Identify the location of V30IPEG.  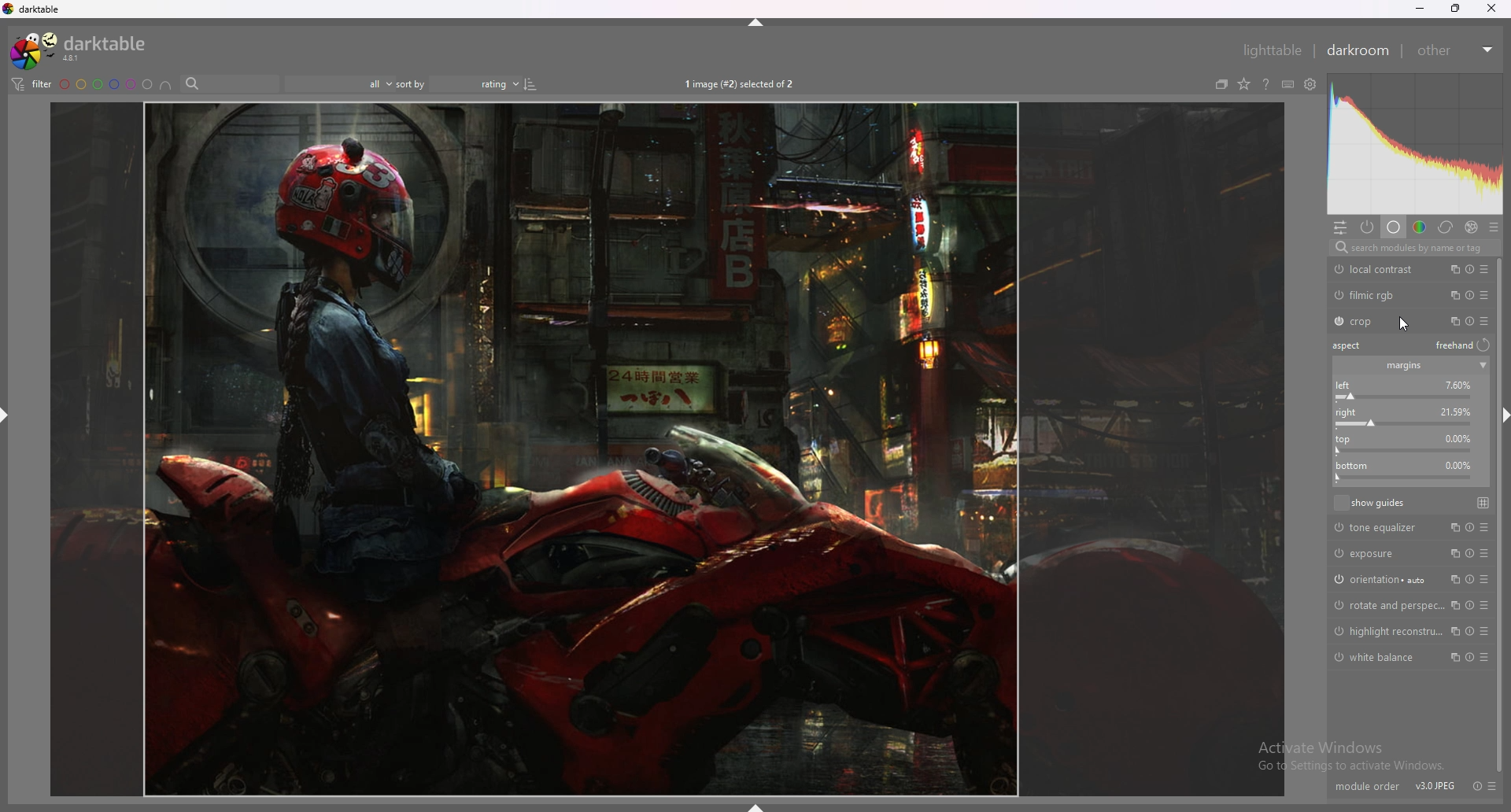
(1432, 777).